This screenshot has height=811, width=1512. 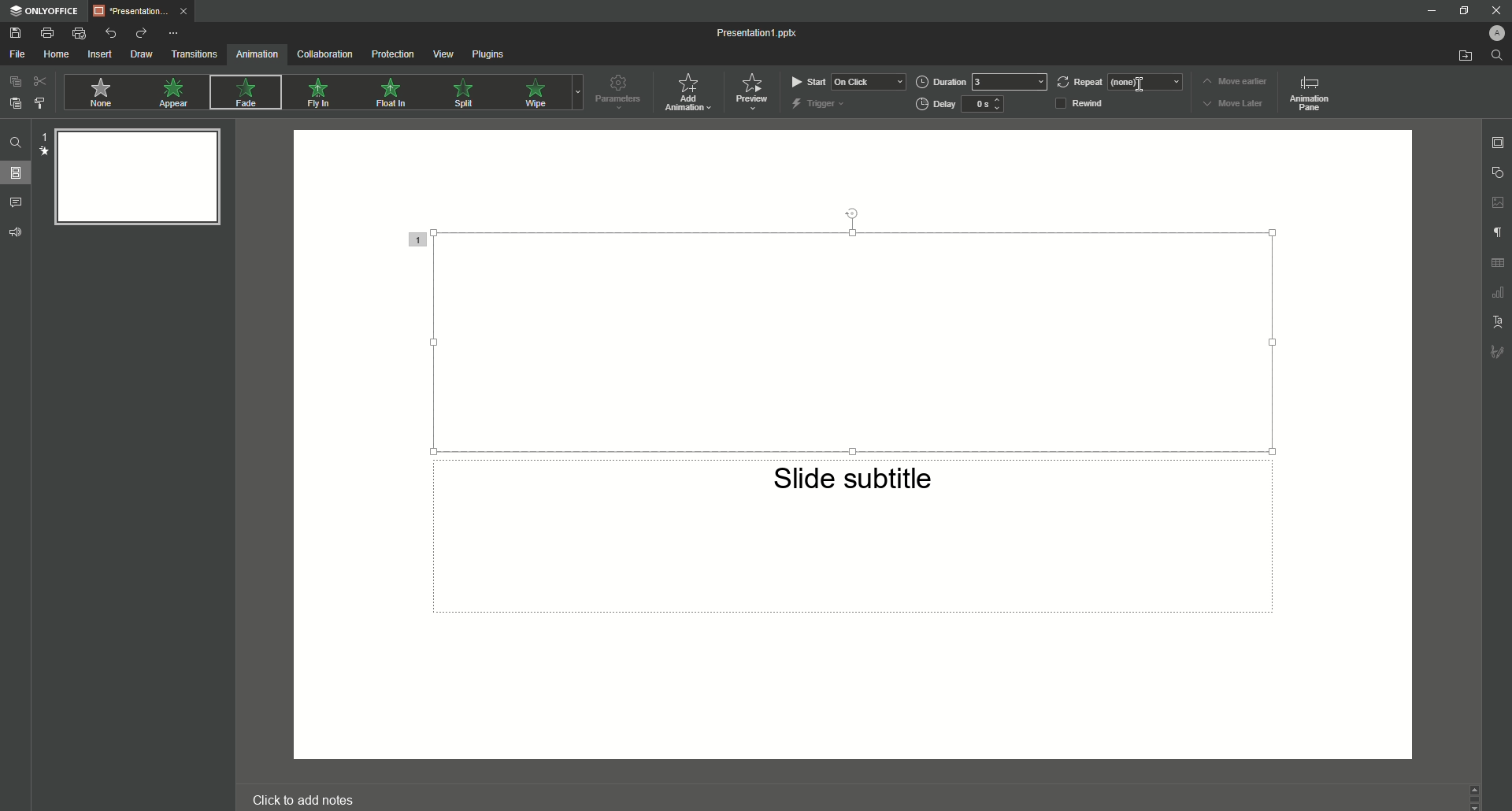 I want to click on Float In, so click(x=393, y=94).